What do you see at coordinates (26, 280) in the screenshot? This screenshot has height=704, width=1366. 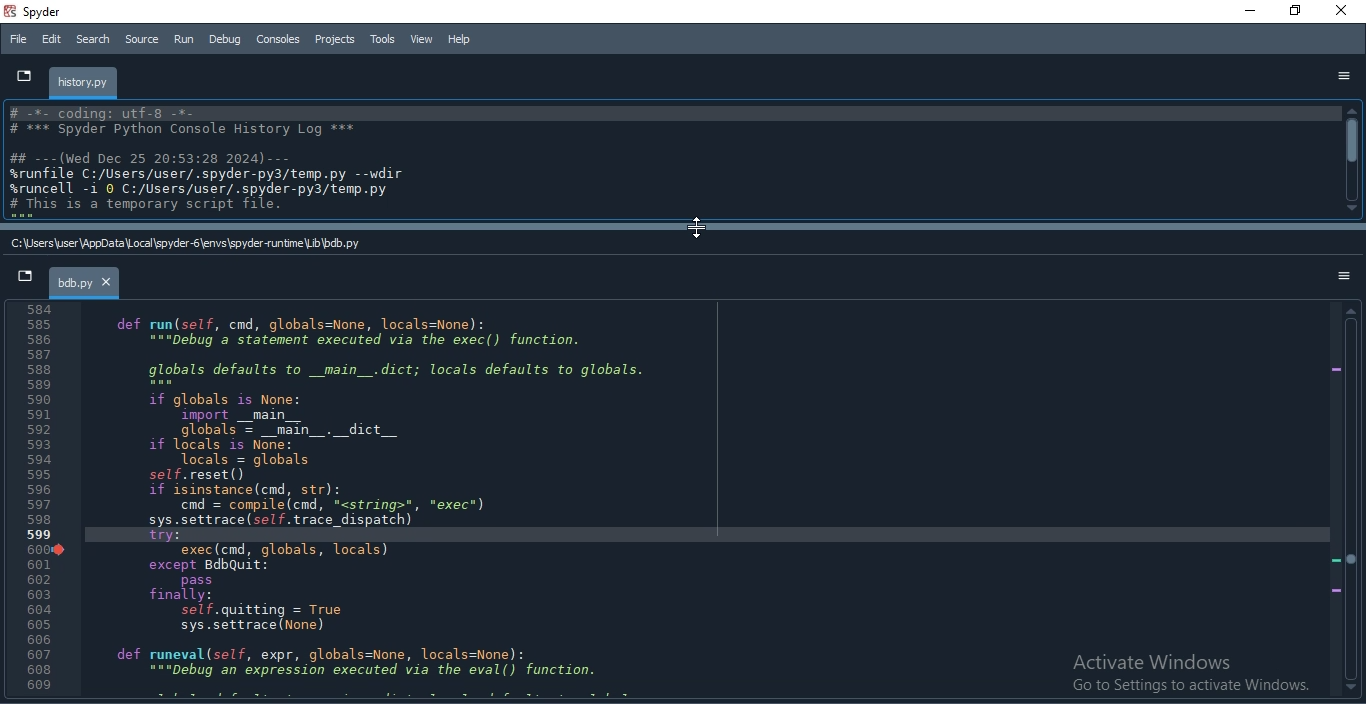 I see `dropdown` at bounding box center [26, 280].